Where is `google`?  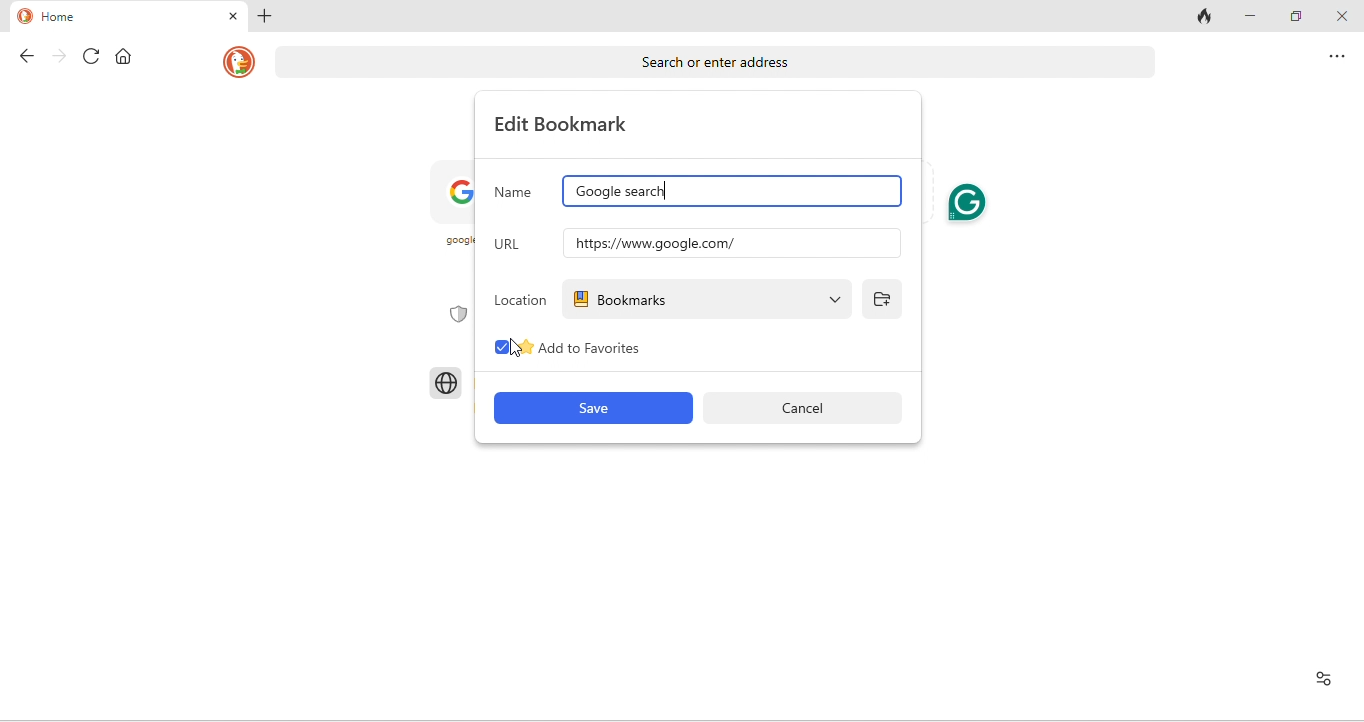 google is located at coordinates (731, 193).